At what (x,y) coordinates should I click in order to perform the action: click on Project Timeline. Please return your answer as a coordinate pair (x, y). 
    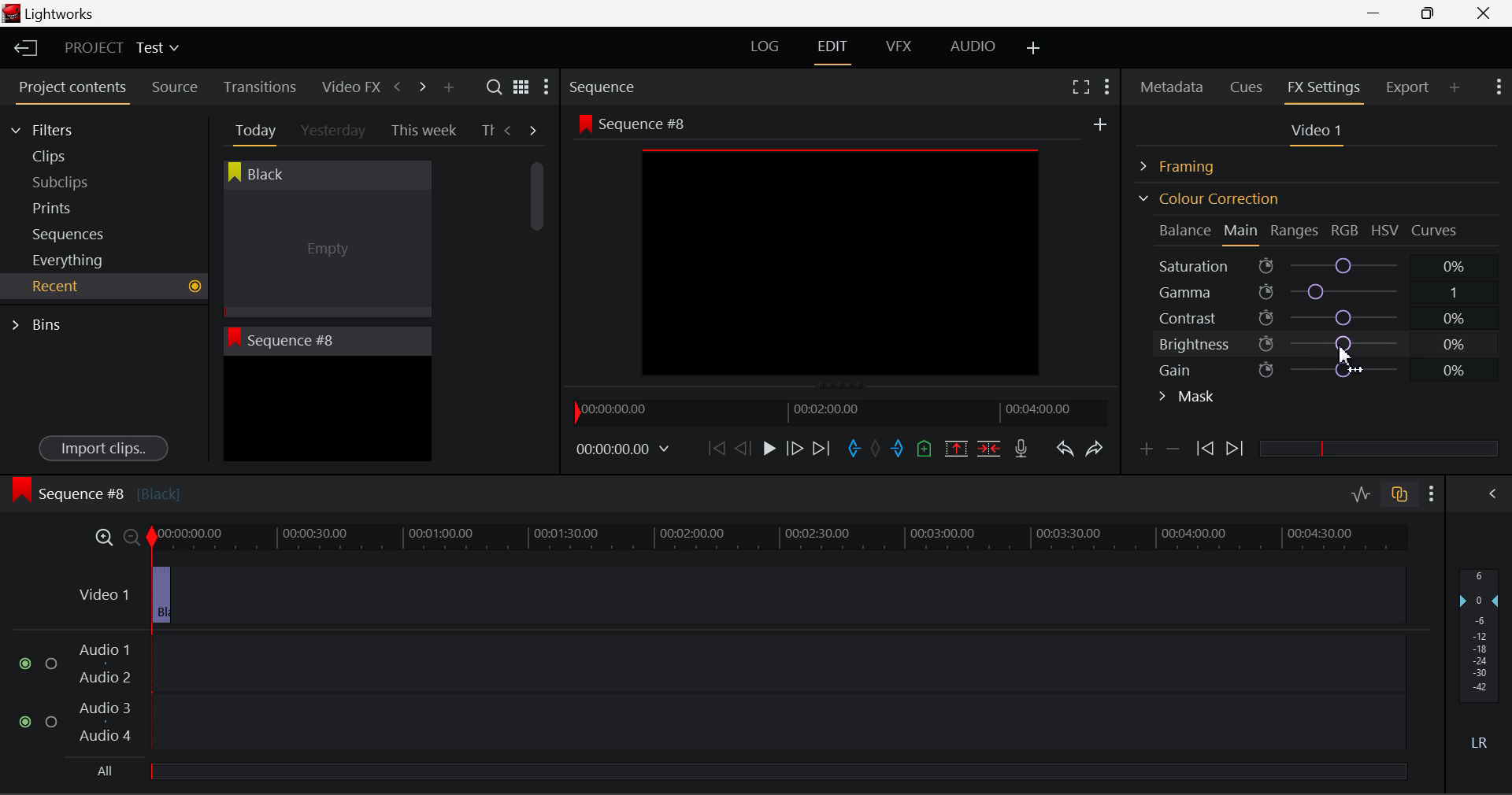
    Looking at the image, I should click on (780, 538).